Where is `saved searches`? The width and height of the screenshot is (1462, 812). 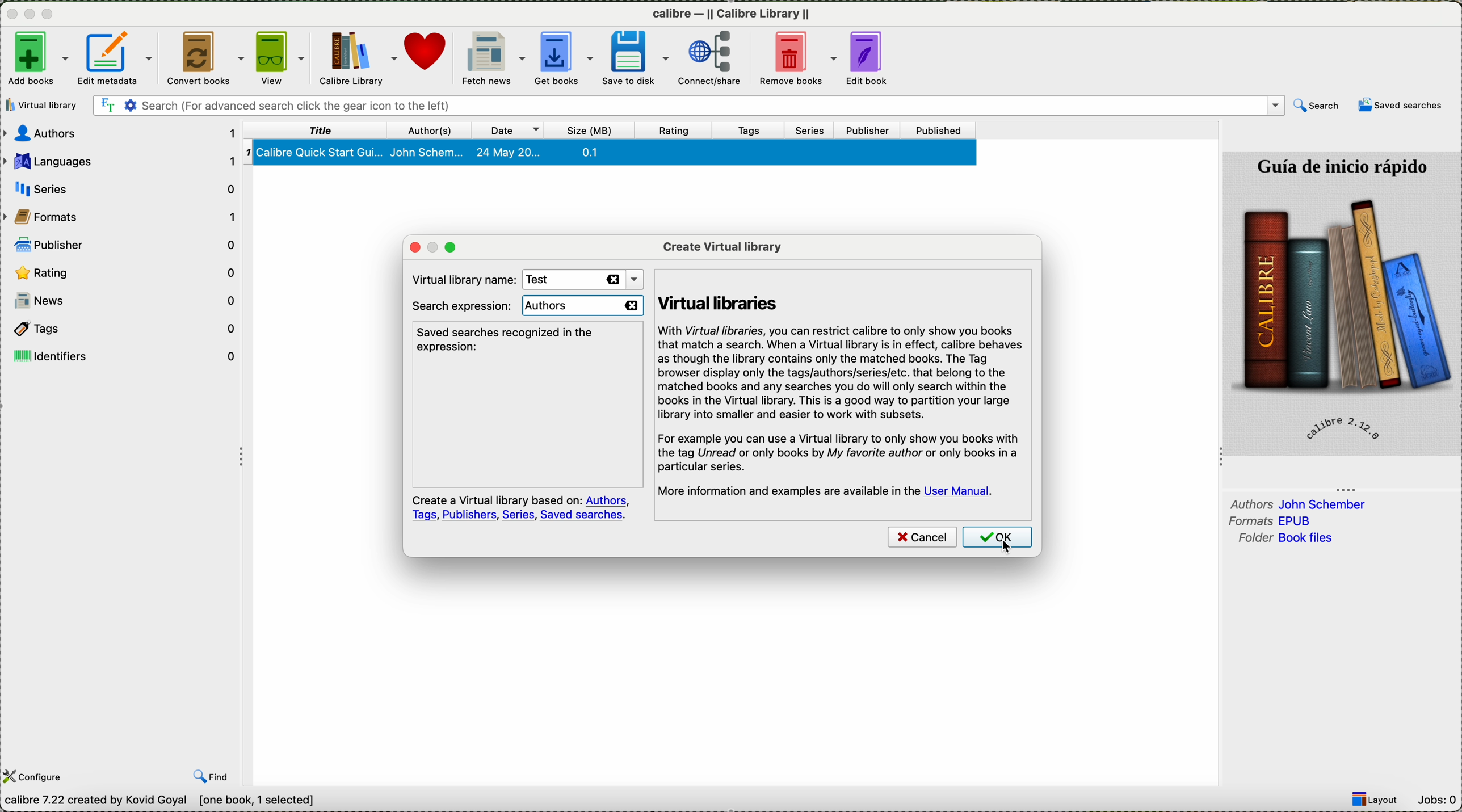
saved searches is located at coordinates (1402, 106).